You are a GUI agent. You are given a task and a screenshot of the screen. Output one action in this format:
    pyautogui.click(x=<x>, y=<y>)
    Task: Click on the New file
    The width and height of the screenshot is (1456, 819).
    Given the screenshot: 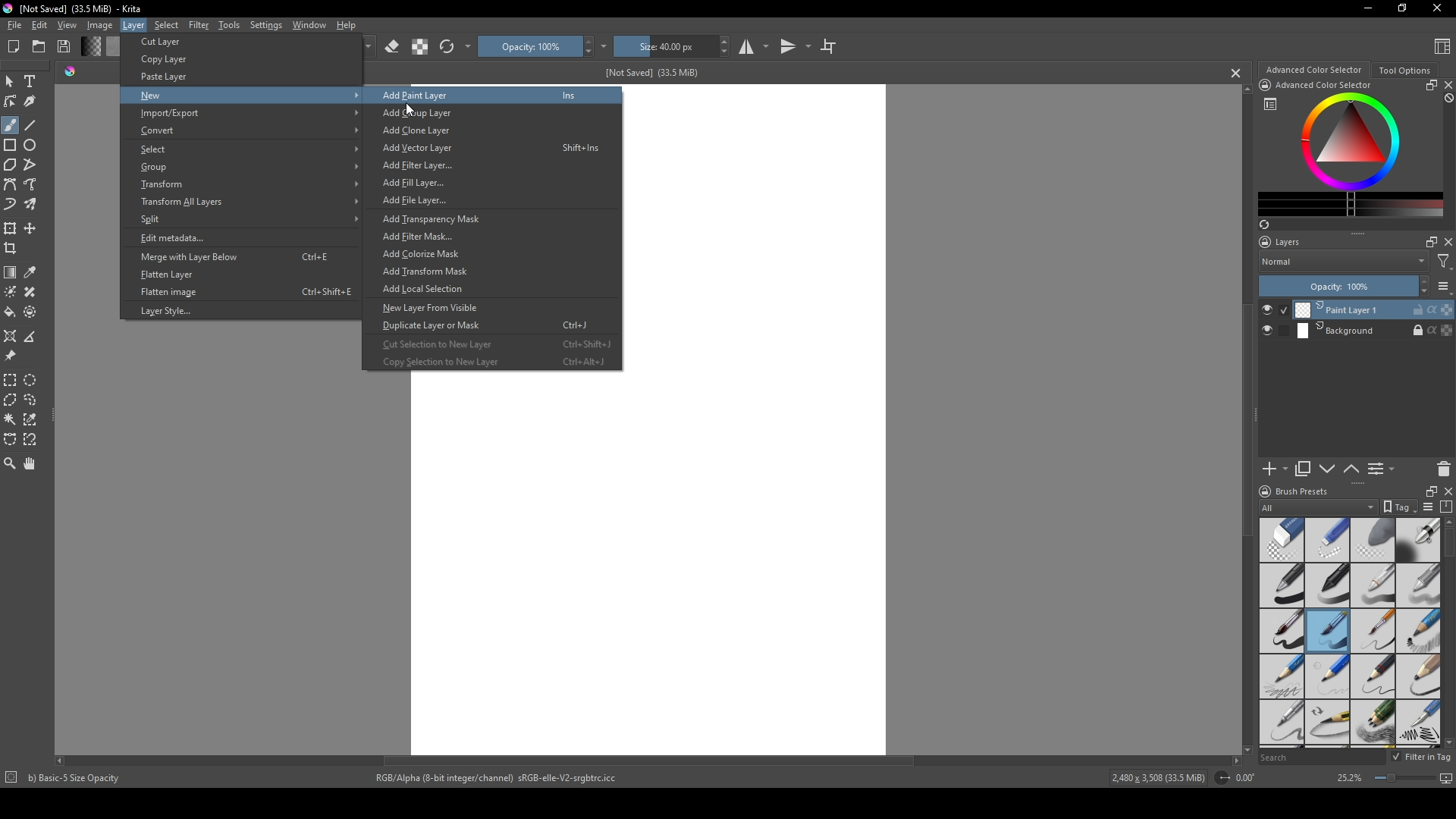 What is the action you would take?
    pyautogui.click(x=11, y=48)
    